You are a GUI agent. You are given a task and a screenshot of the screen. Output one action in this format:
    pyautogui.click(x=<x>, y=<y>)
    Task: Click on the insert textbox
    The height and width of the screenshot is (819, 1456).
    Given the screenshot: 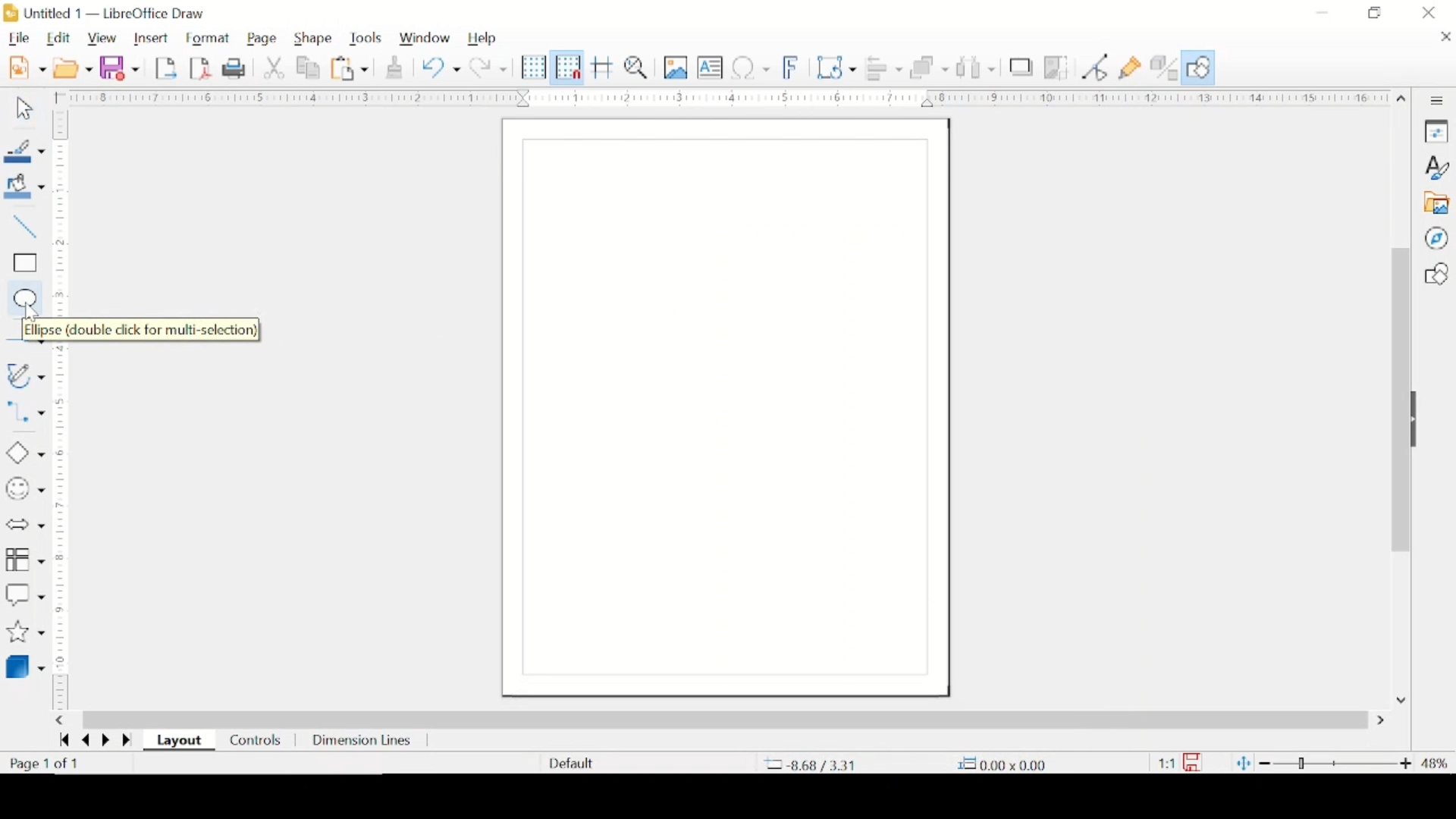 What is the action you would take?
    pyautogui.click(x=711, y=68)
    